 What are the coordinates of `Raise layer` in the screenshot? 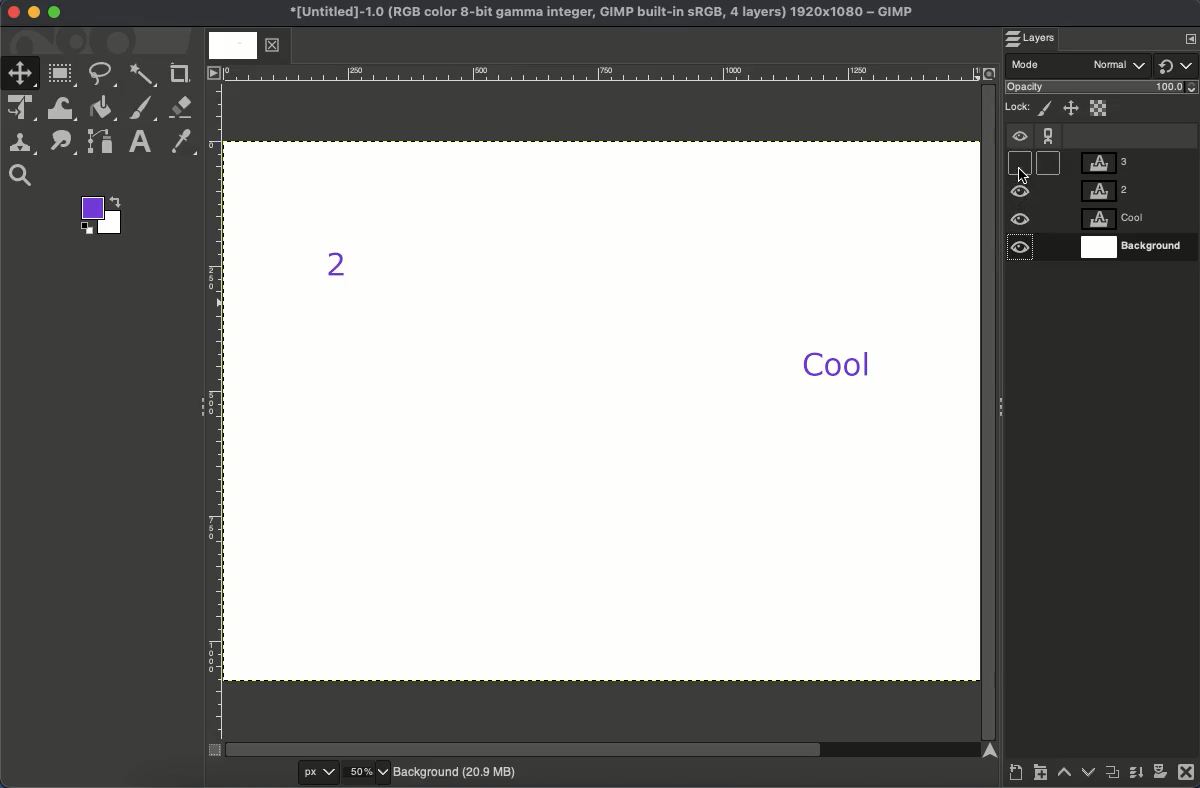 It's located at (1065, 777).